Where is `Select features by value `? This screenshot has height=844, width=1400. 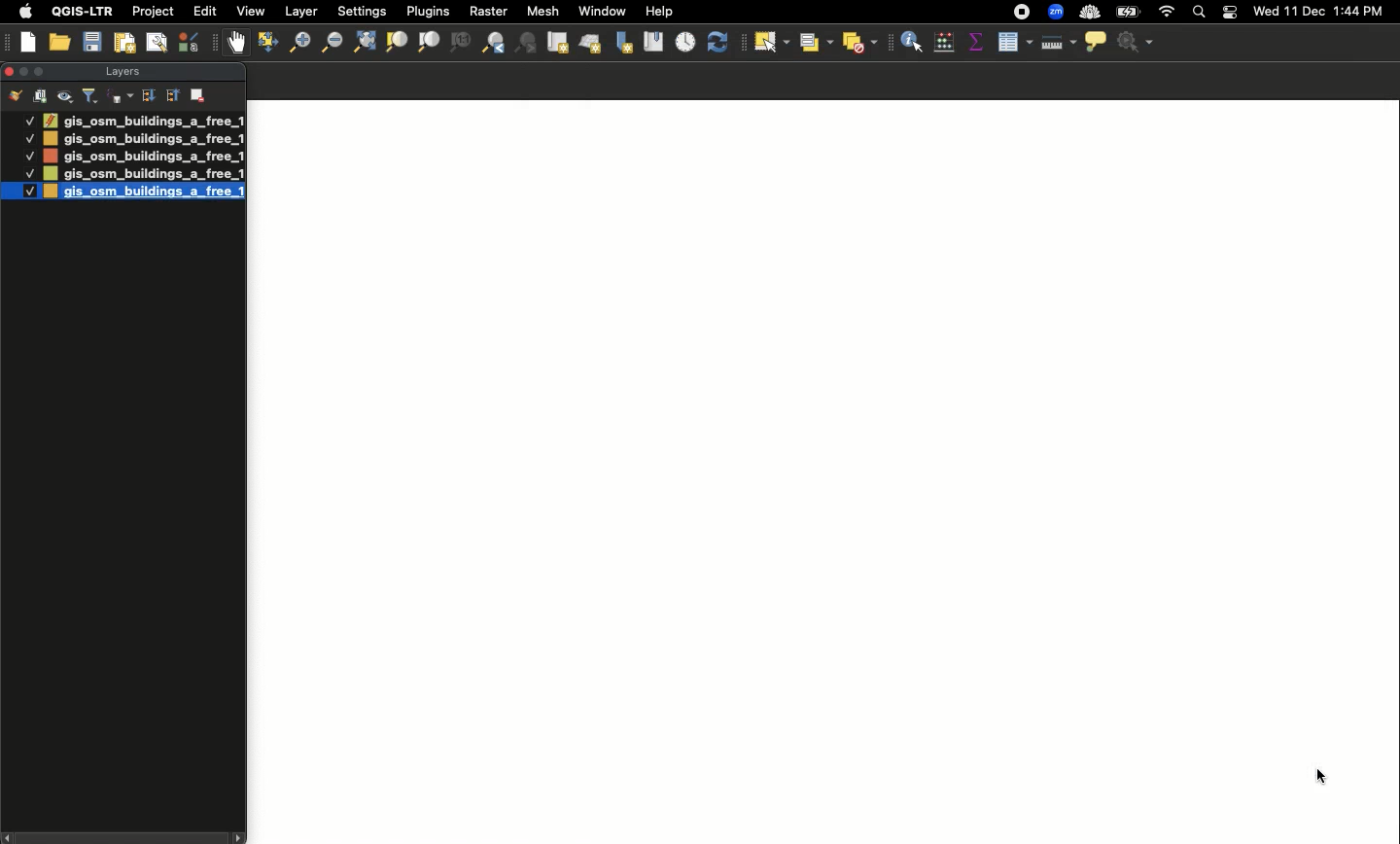
Select features by value  is located at coordinates (814, 42).